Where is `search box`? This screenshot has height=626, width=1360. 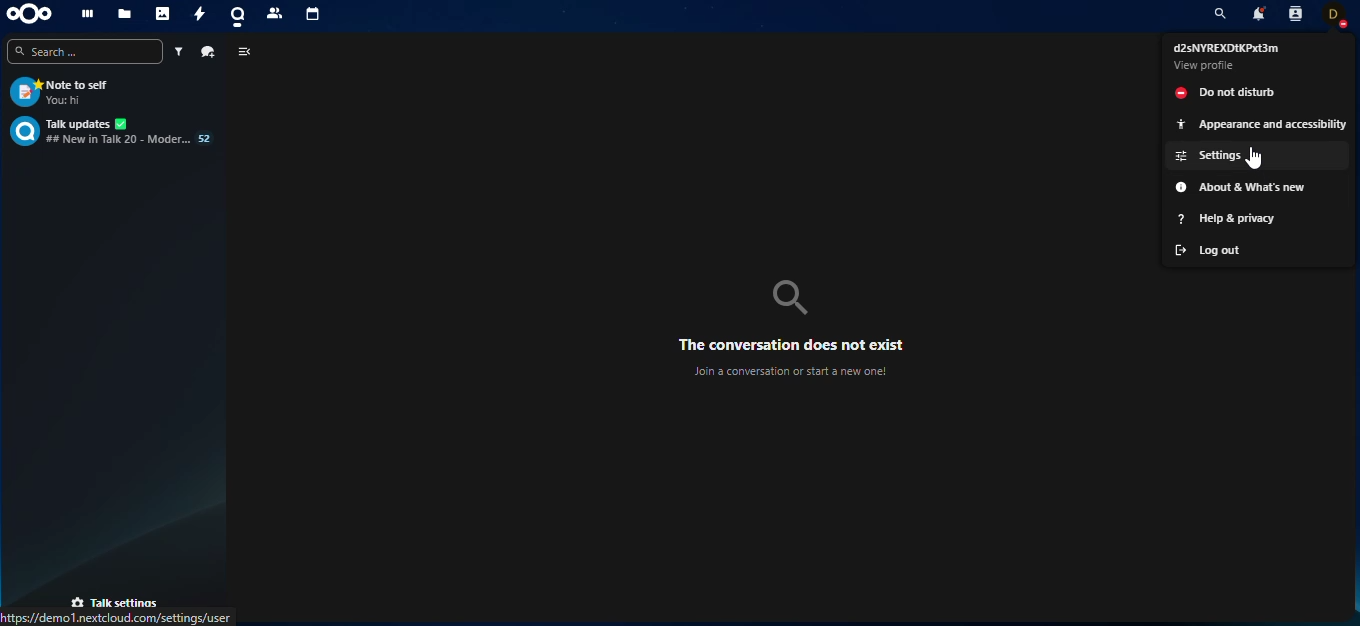
search box is located at coordinates (85, 51).